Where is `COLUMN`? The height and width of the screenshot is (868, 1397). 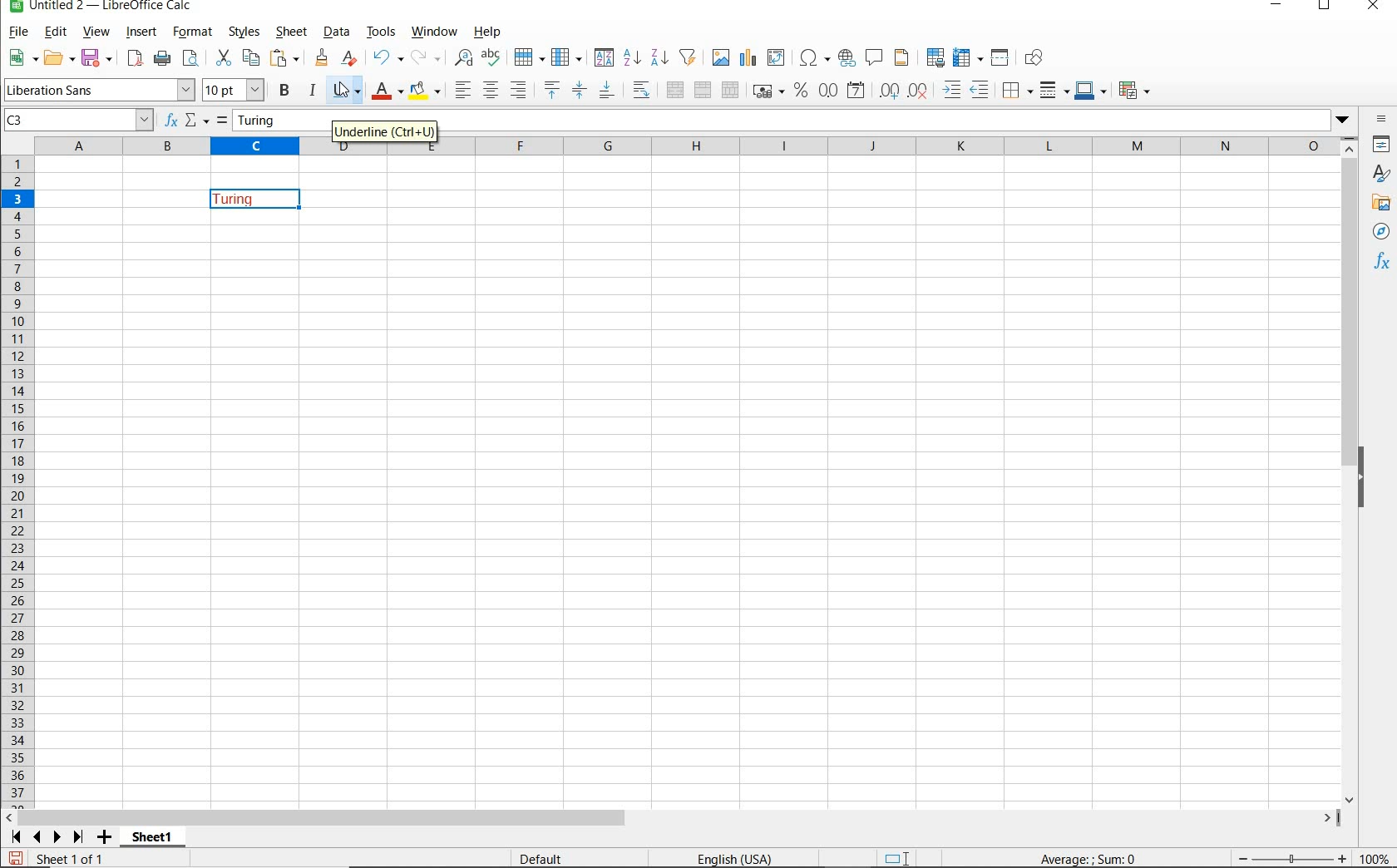
COLUMN is located at coordinates (566, 58).